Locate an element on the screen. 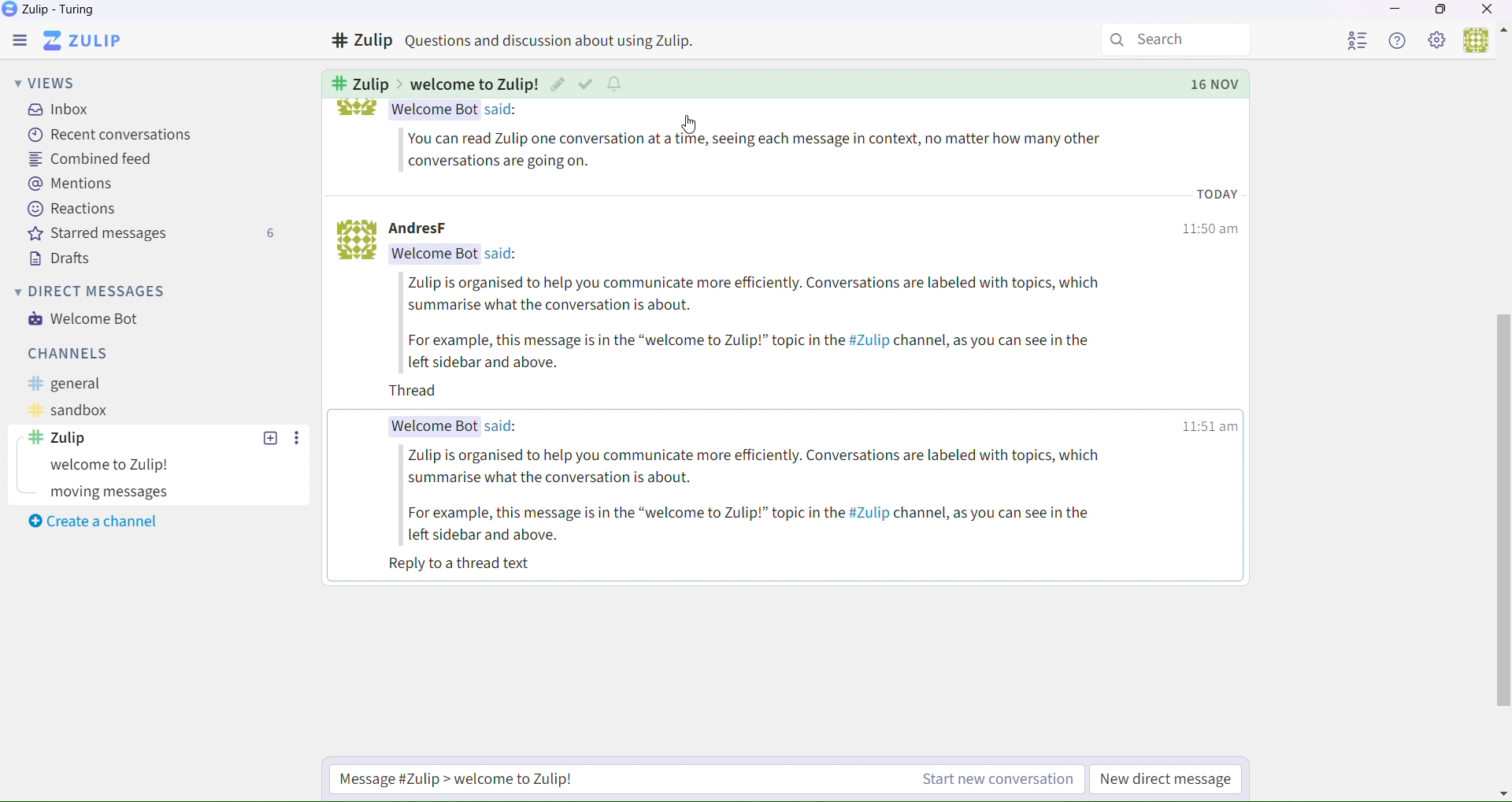 This screenshot has height=802, width=1512. User List is located at coordinates (1359, 41).